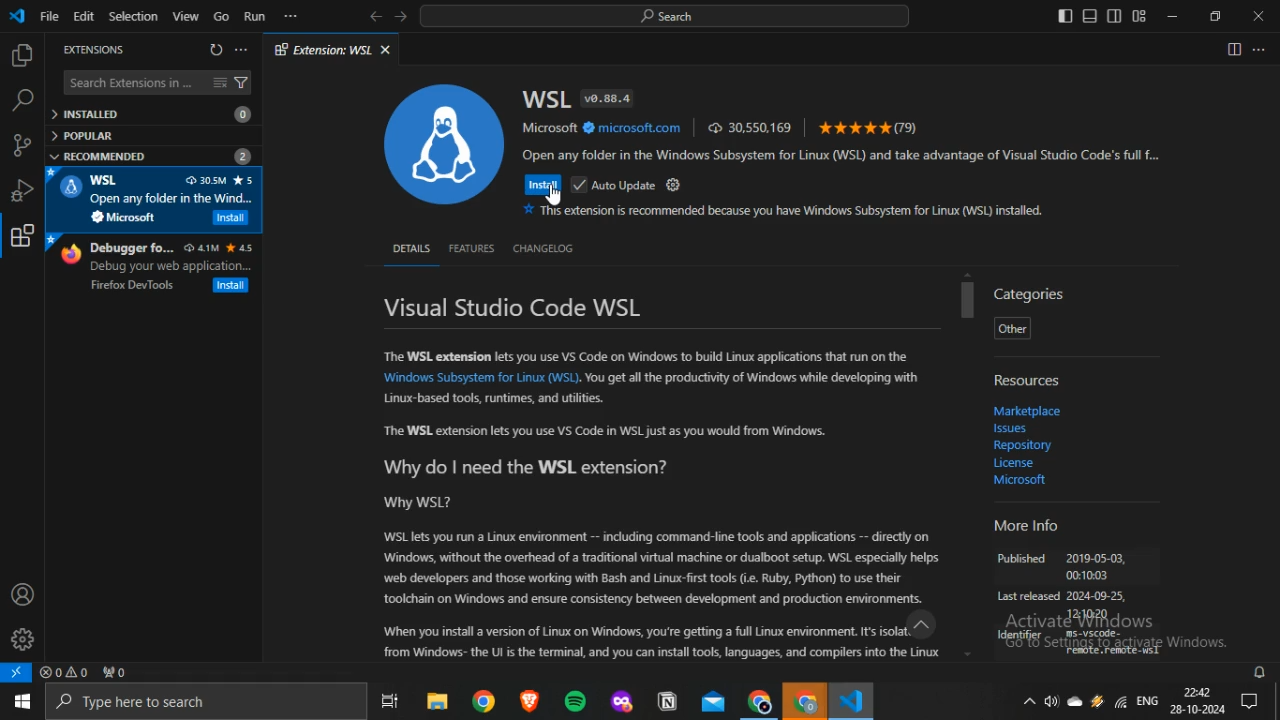 This screenshot has width=1280, height=720. I want to click on RECOMMENDED, so click(152, 156).